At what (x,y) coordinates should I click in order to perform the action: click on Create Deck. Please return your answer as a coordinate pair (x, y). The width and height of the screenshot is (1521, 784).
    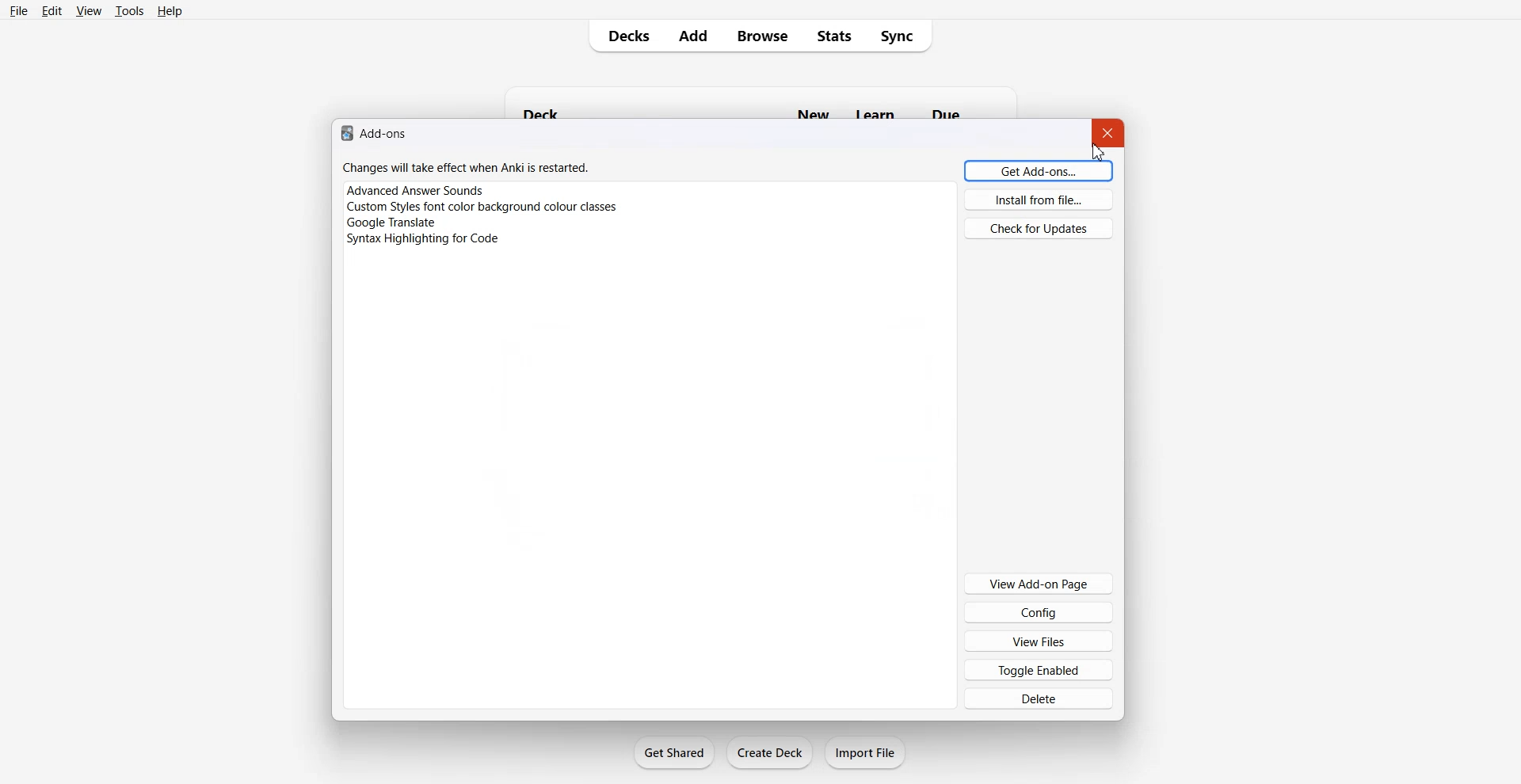
    Looking at the image, I should click on (769, 752).